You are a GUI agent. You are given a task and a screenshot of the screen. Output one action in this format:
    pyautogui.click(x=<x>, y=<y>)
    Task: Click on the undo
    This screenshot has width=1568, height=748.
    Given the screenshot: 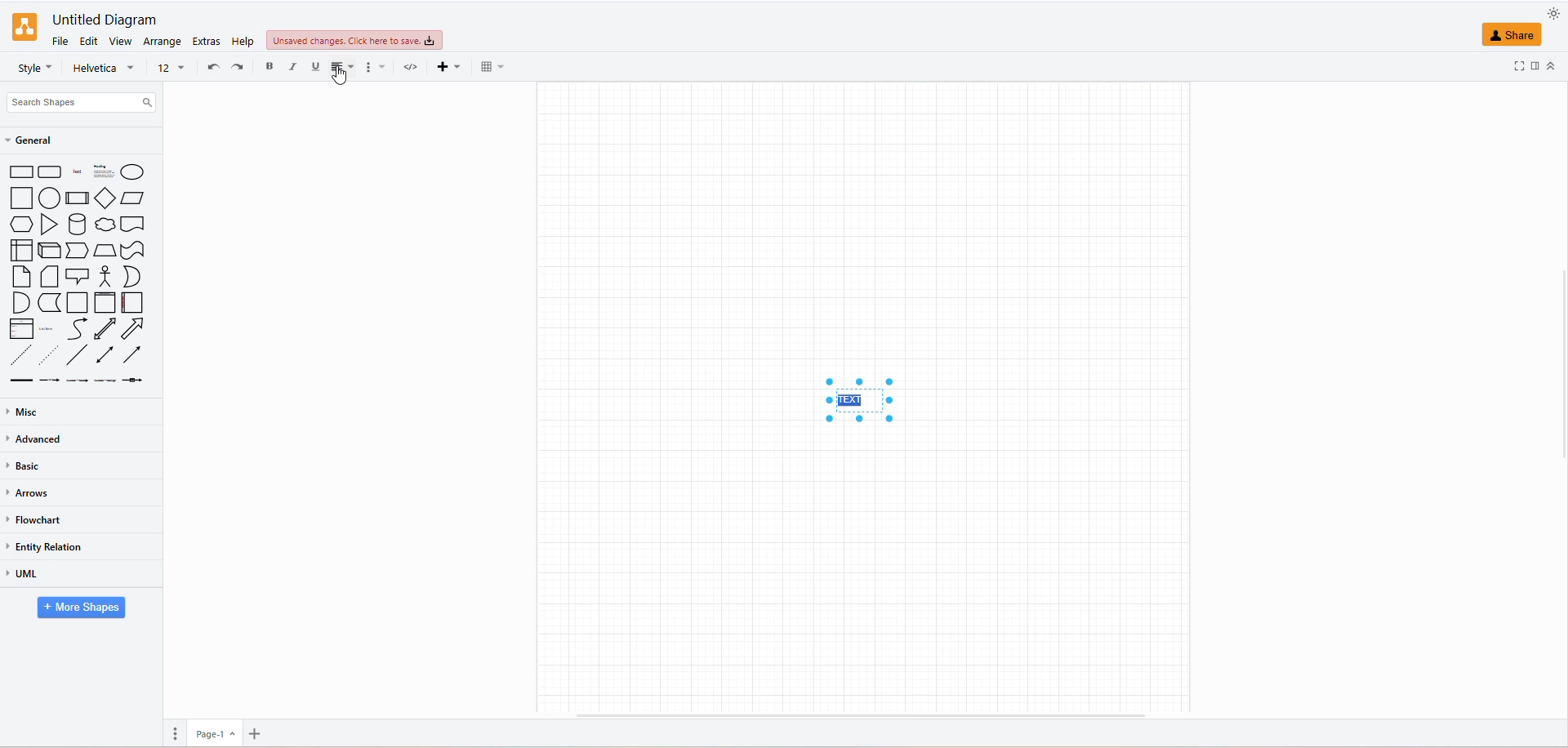 What is the action you would take?
    pyautogui.click(x=215, y=66)
    